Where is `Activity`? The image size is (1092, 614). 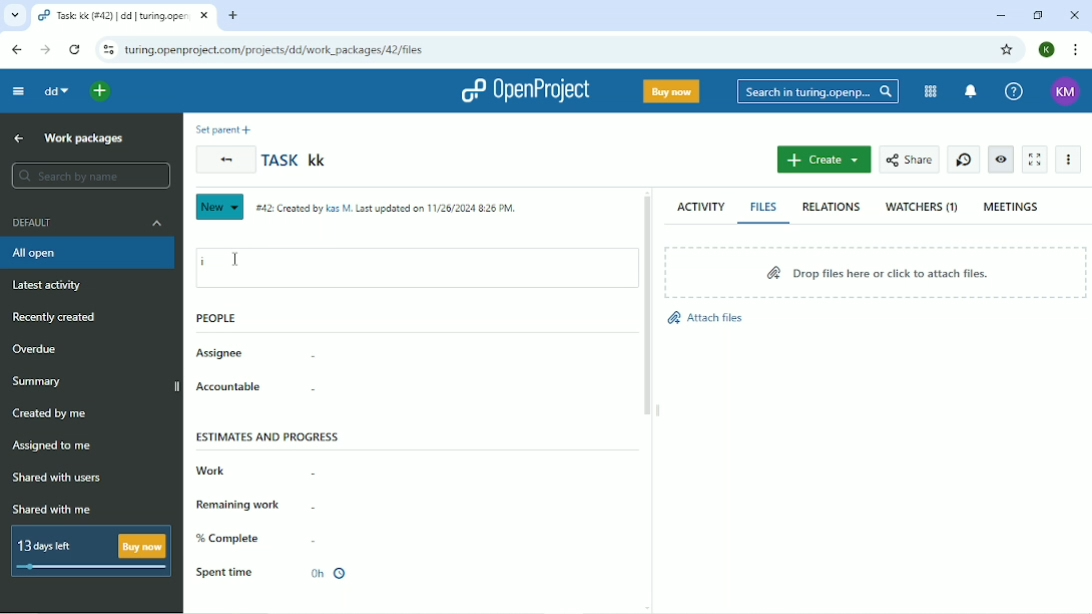
Activity is located at coordinates (702, 208).